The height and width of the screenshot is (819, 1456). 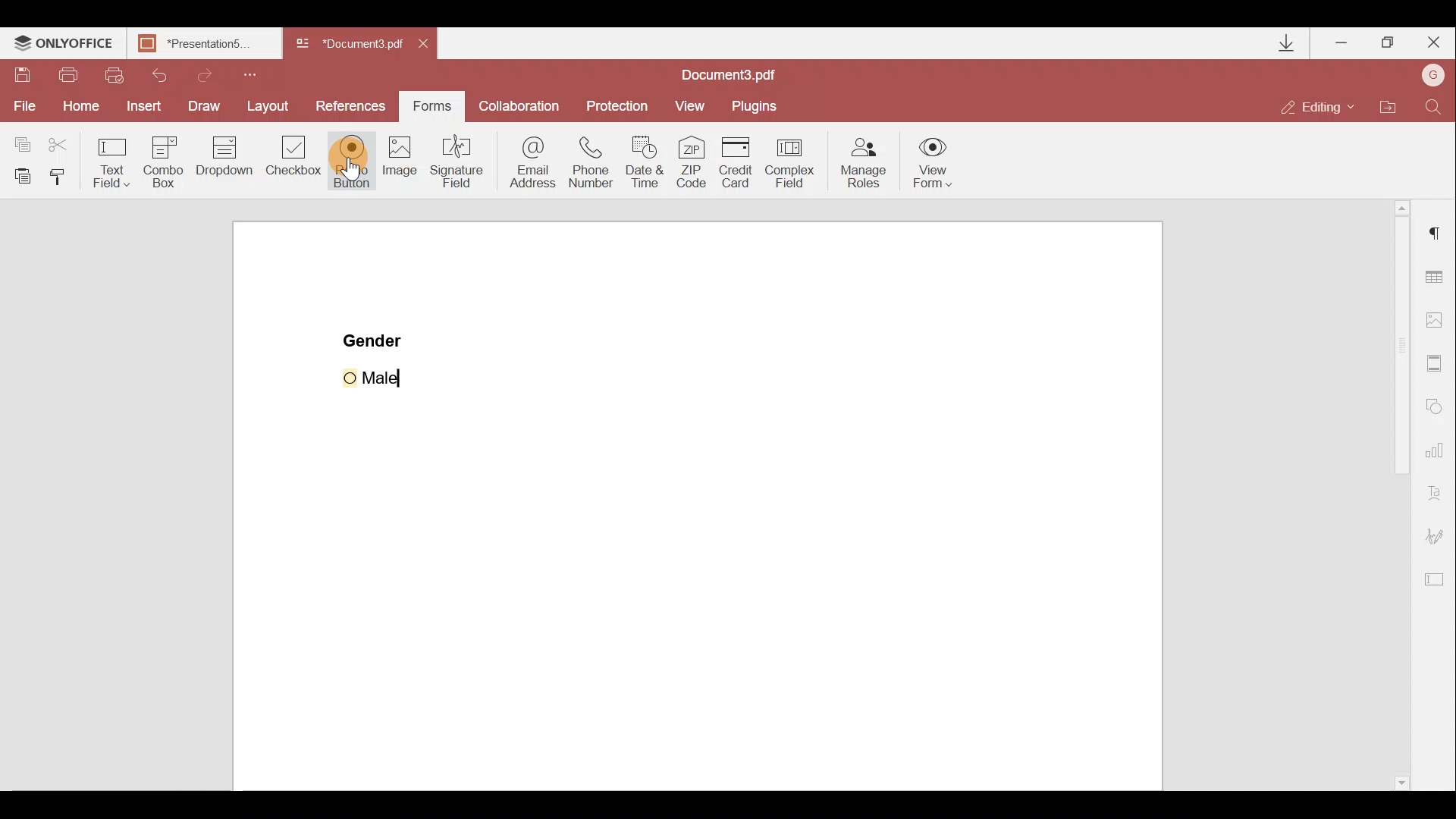 I want to click on Minimize, so click(x=1341, y=42).